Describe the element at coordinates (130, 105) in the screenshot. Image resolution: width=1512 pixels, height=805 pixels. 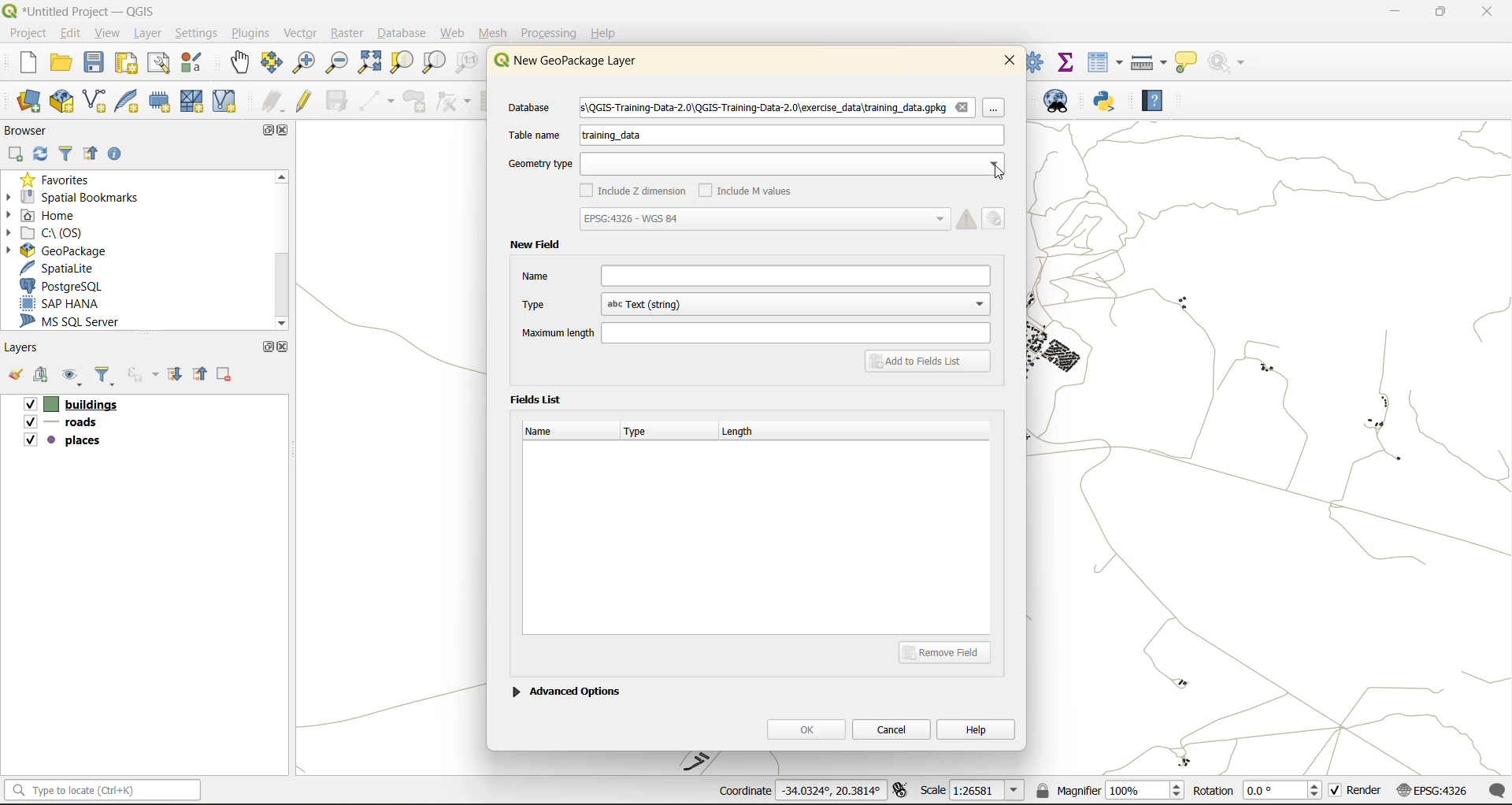
I see `new spatialite` at that location.